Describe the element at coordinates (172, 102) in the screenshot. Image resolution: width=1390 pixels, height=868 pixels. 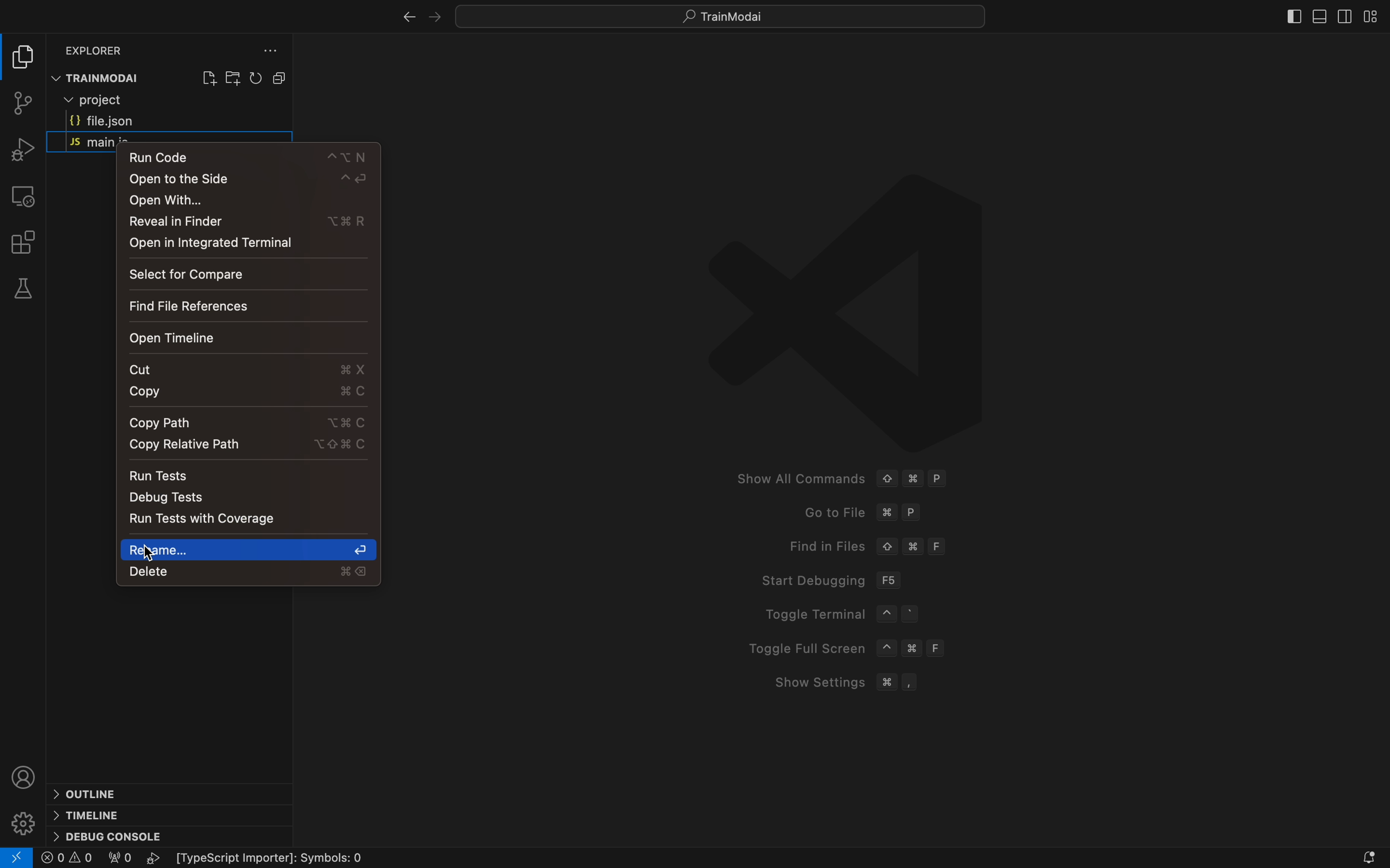
I see `current folder` at that location.